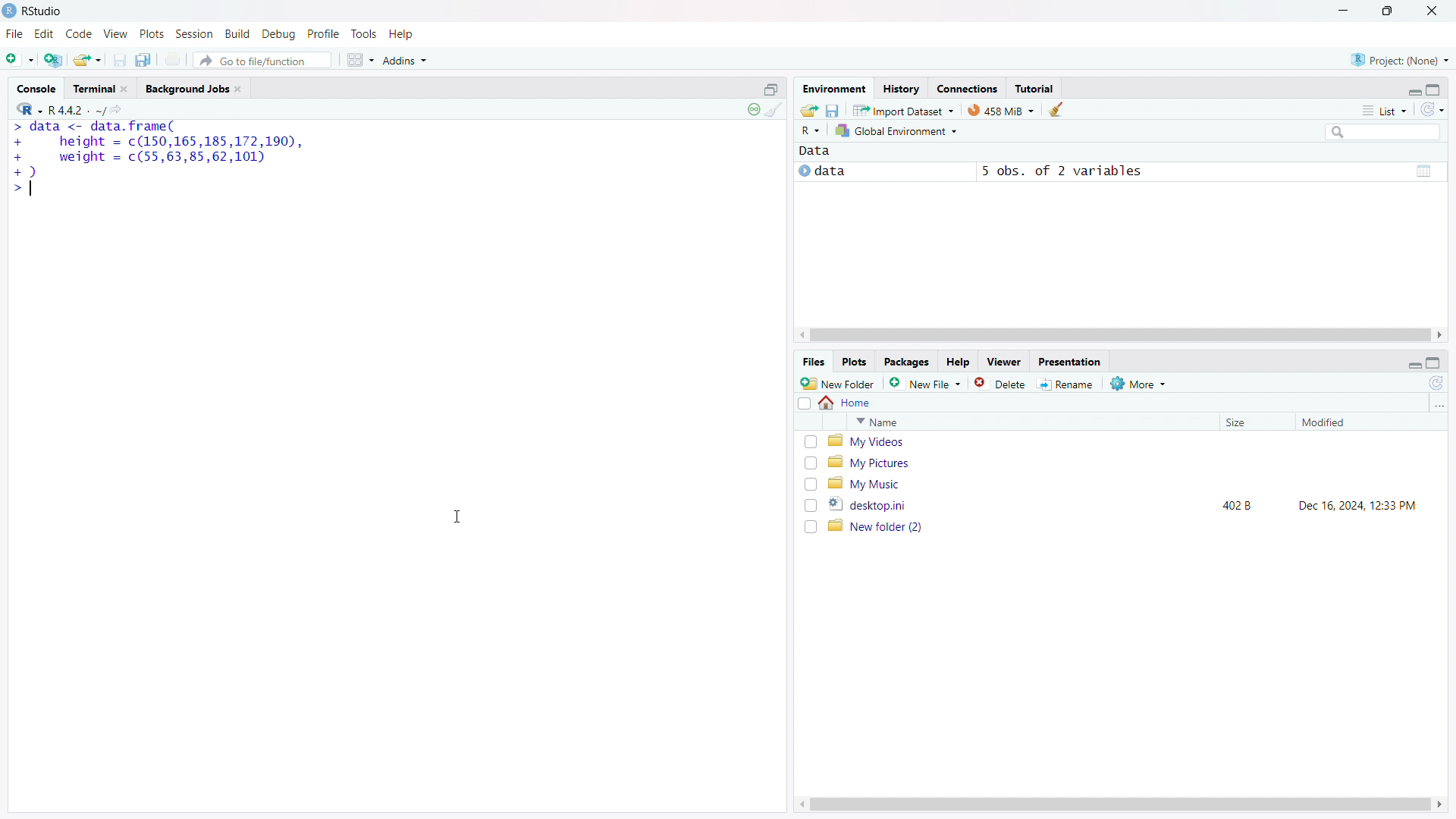 The height and width of the screenshot is (819, 1456). I want to click on select entry, so click(804, 403).